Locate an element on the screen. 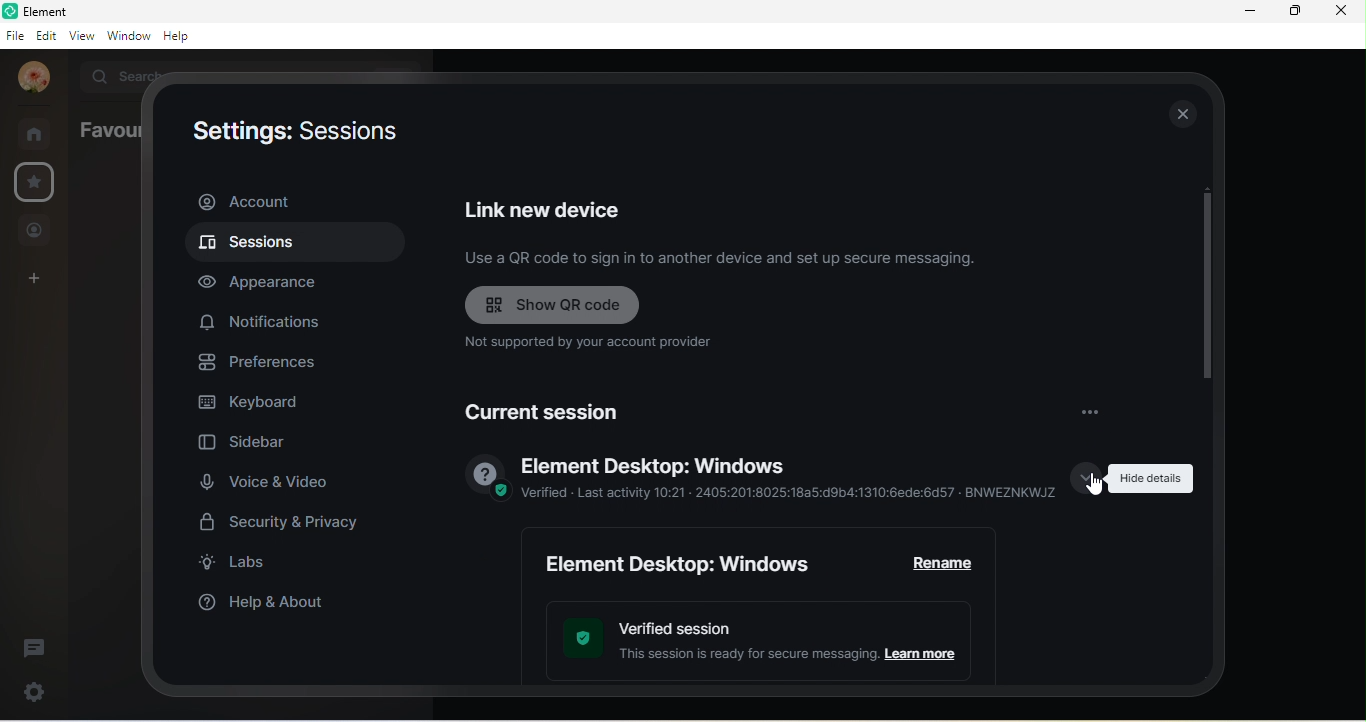 This screenshot has height=722, width=1366. security and privacy is located at coordinates (290, 525).